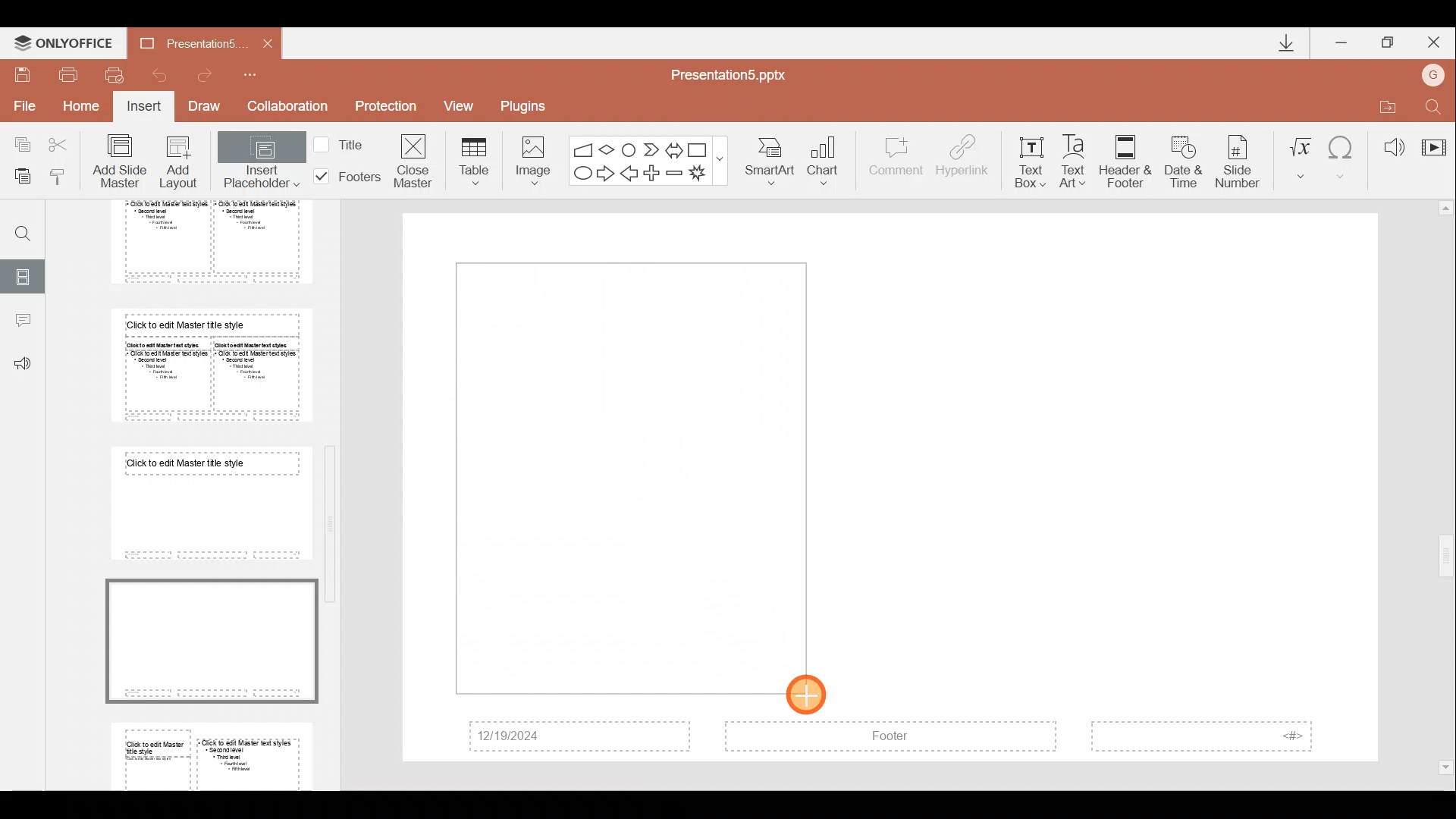 The height and width of the screenshot is (819, 1456). I want to click on Chevron, so click(649, 148).